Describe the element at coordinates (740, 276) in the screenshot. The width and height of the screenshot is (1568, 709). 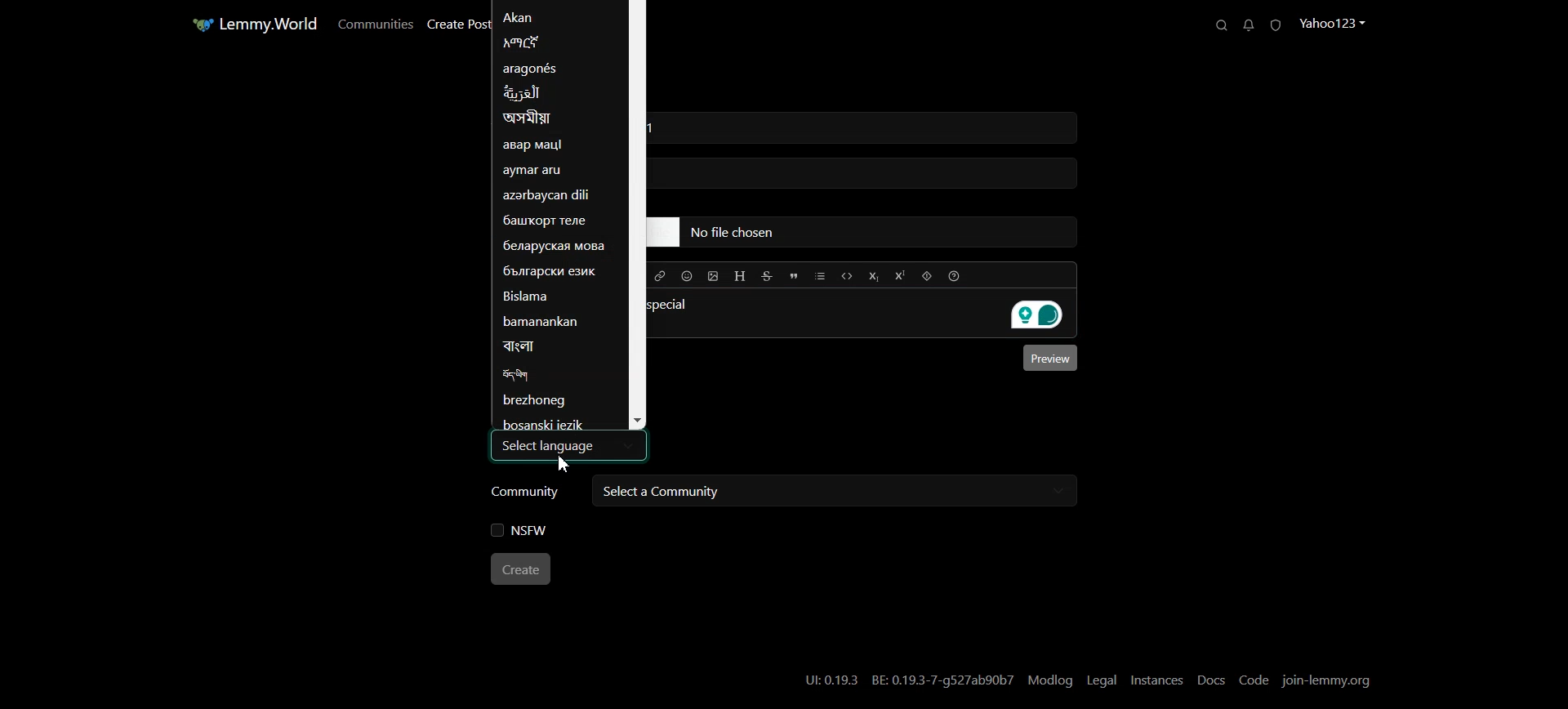
I see `Header` at that location.